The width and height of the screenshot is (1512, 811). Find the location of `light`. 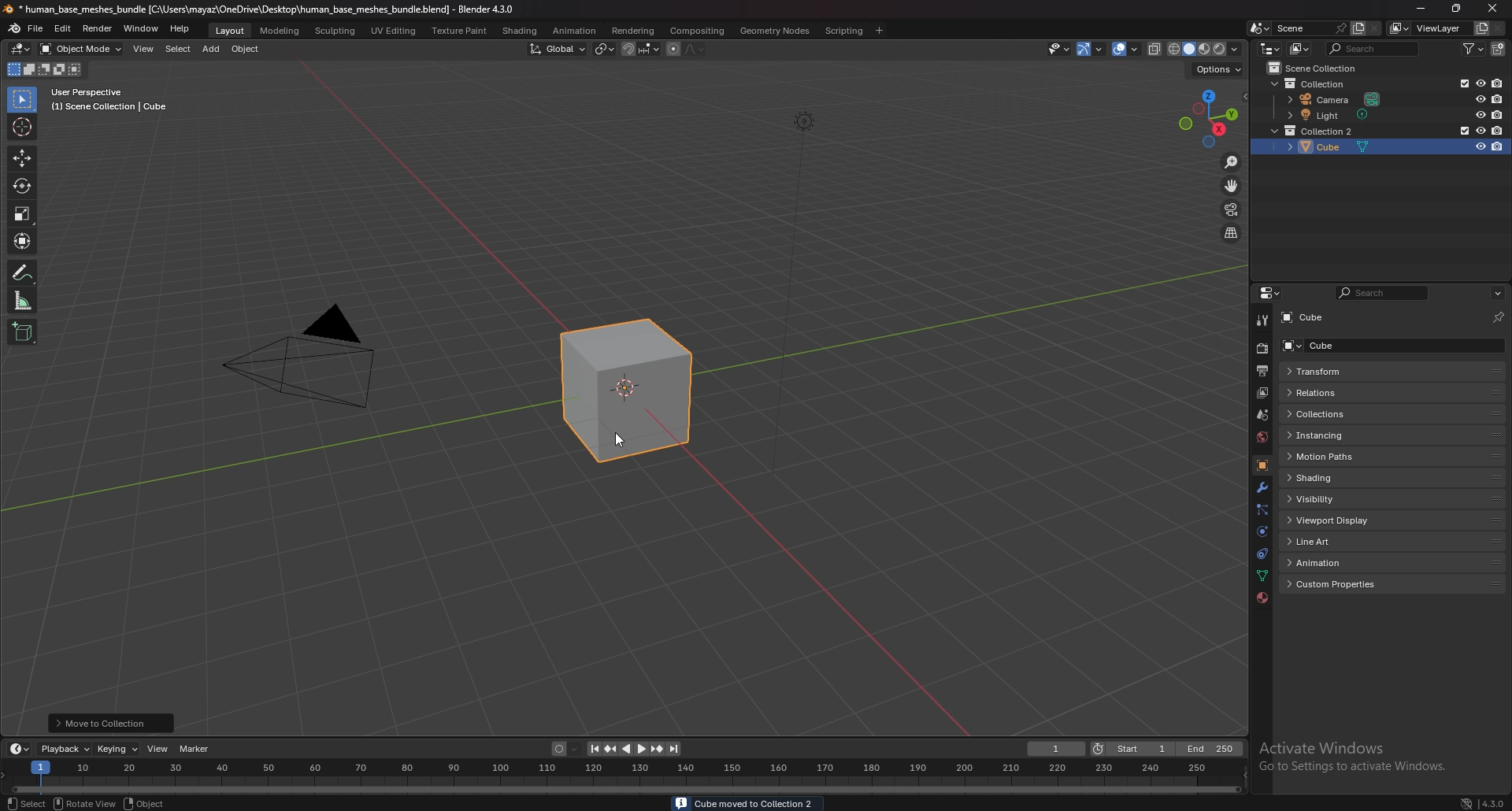

light is located at coordinates (1341, 130).